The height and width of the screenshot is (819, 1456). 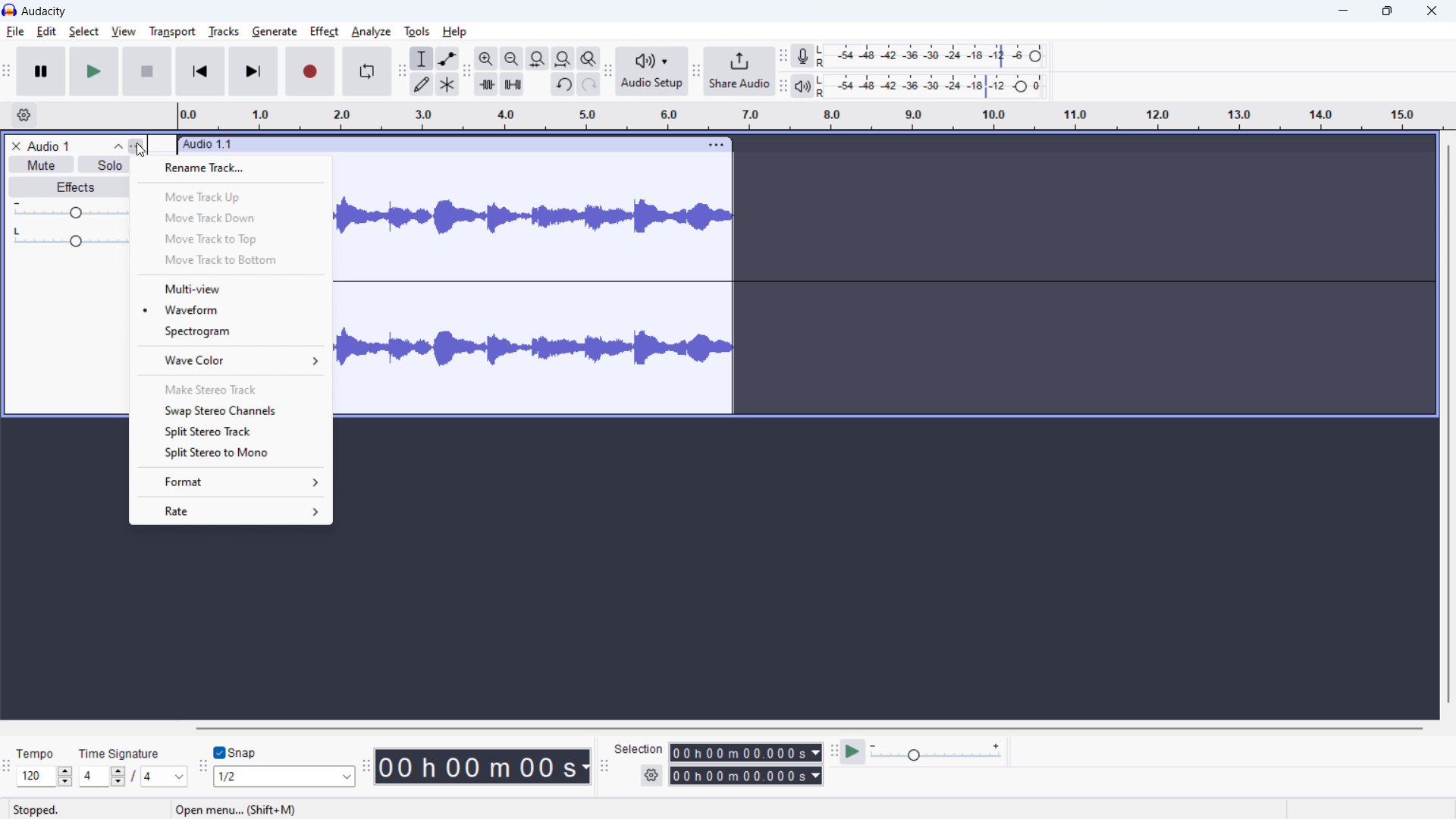 I want to click on title, so click(x=44, y=11).